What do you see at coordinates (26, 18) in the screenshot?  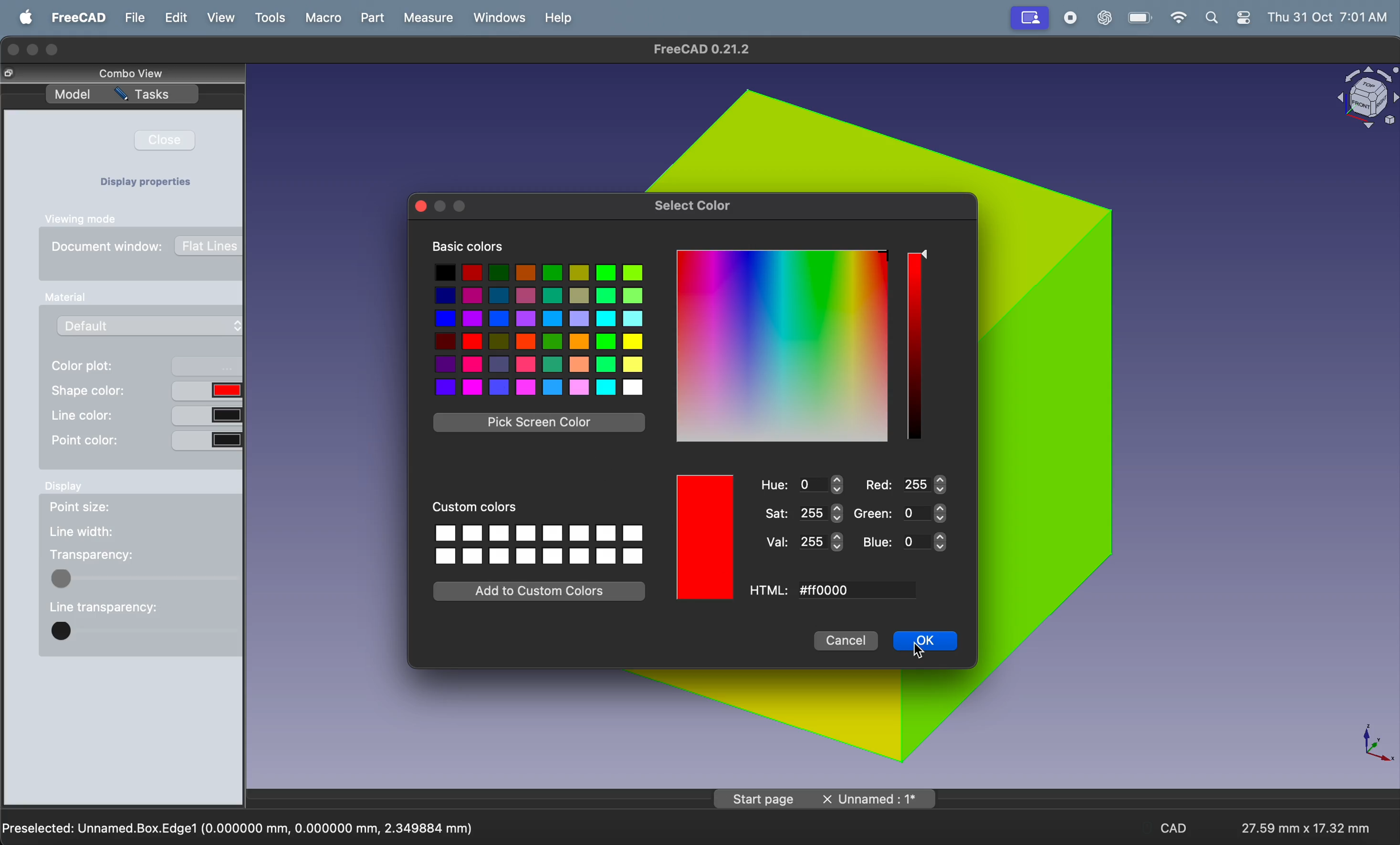 I see `apple menu` at bounding box center [26, 18].